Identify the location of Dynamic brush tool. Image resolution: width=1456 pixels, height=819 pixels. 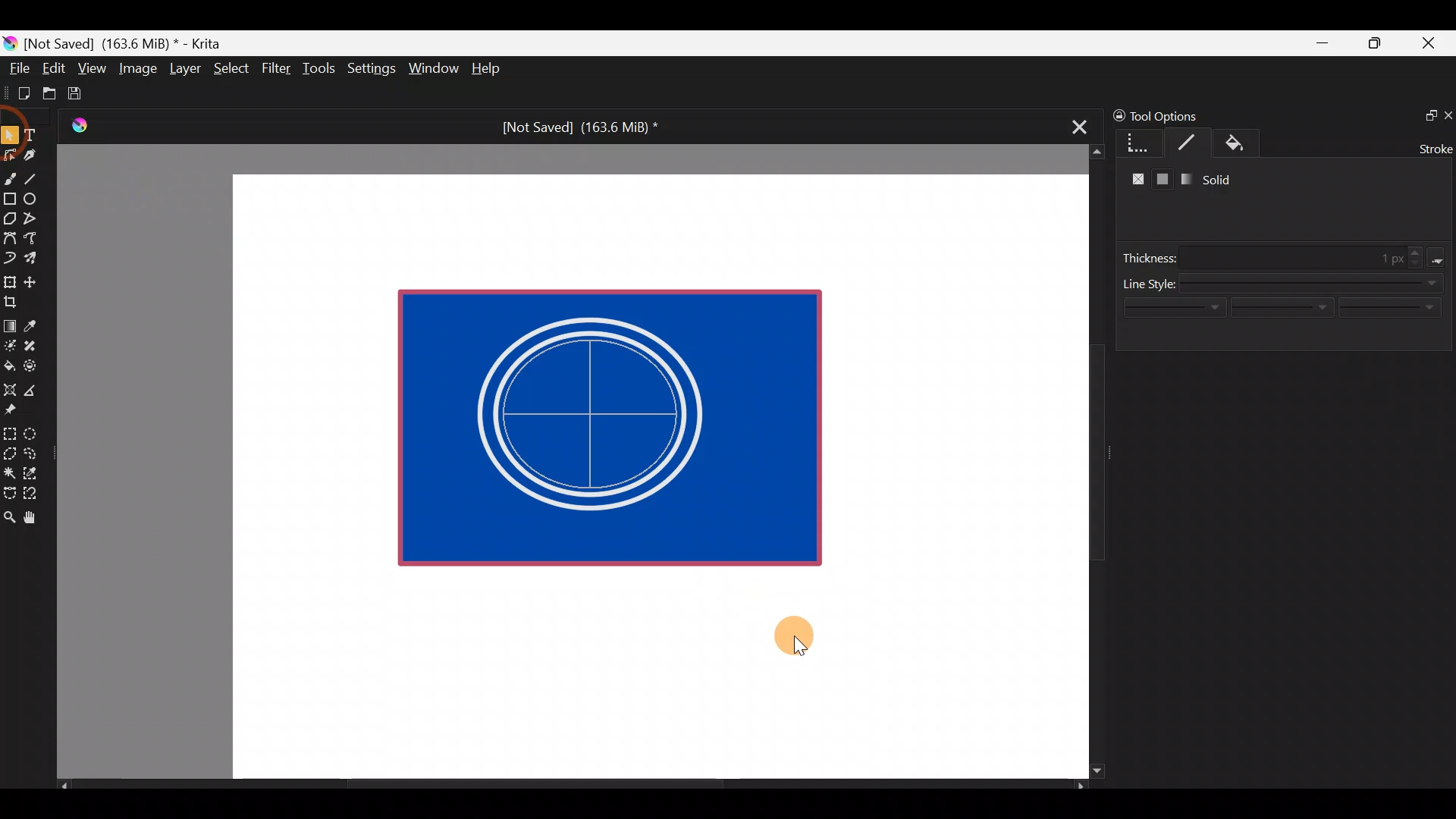
(11, 258).